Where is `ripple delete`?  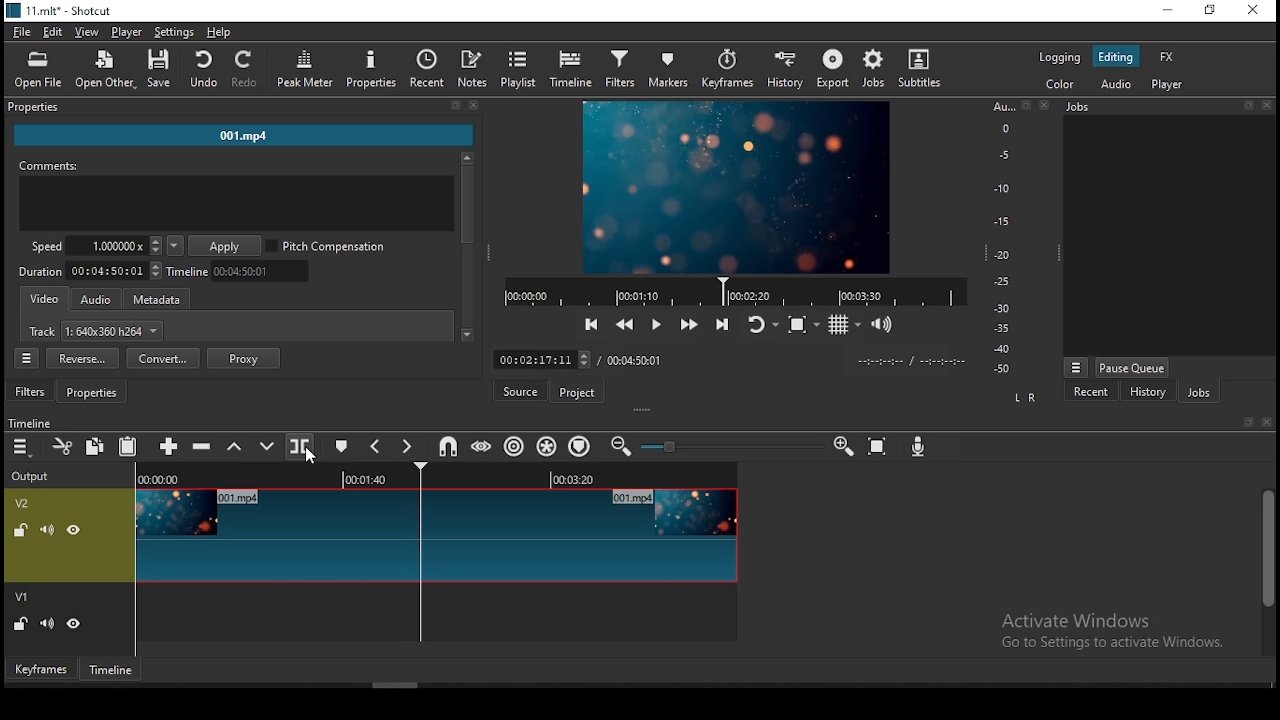 ripple delete is located at coordinates (205, 445).